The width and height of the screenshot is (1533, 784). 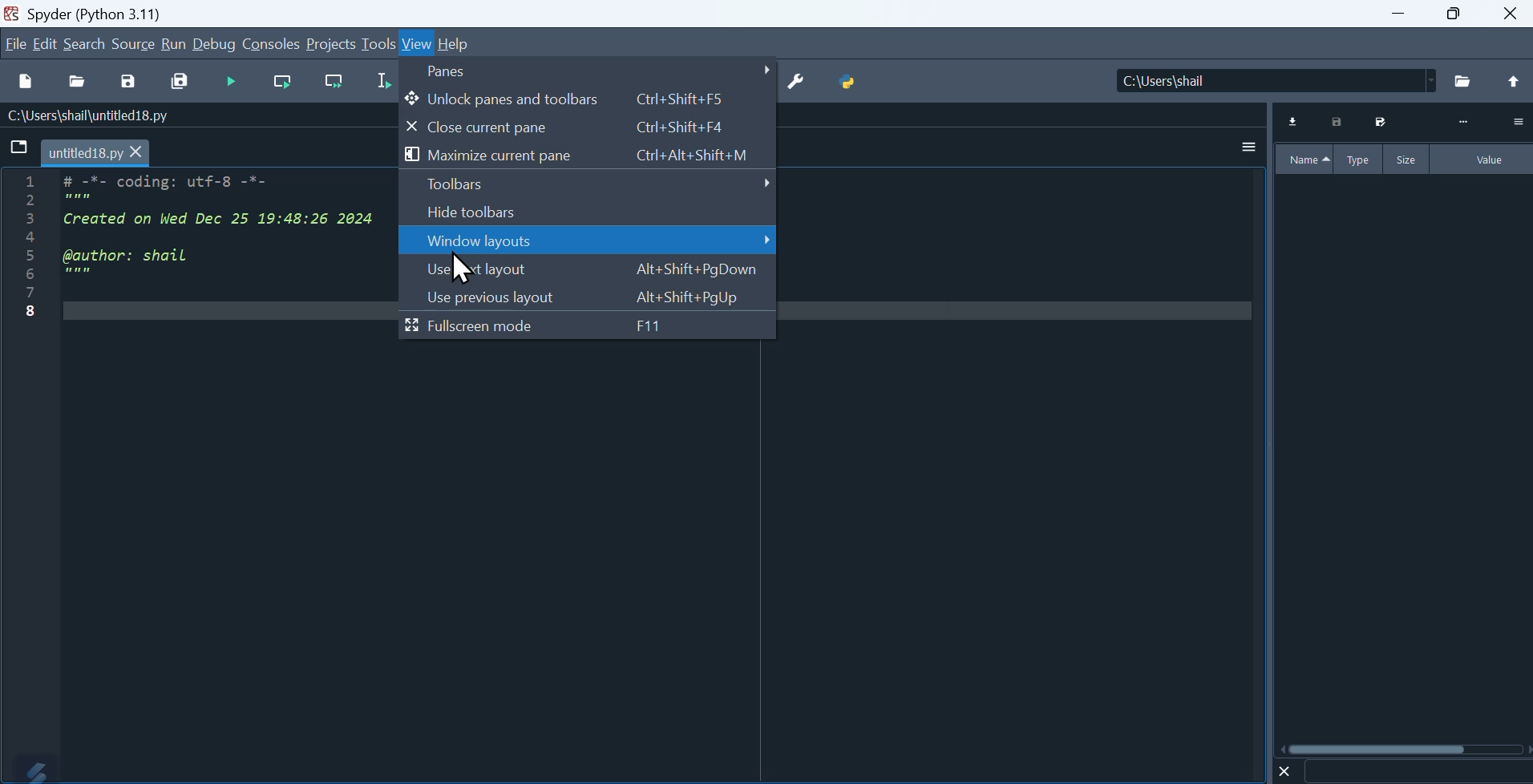 What do you see at coordinates (200, 260) in the screenshot?
I see `w == Coding. ULT=0 ==Created on Wed Dec 25 19:48:26 2024 @author: shail` at bounding box center [200, 260].